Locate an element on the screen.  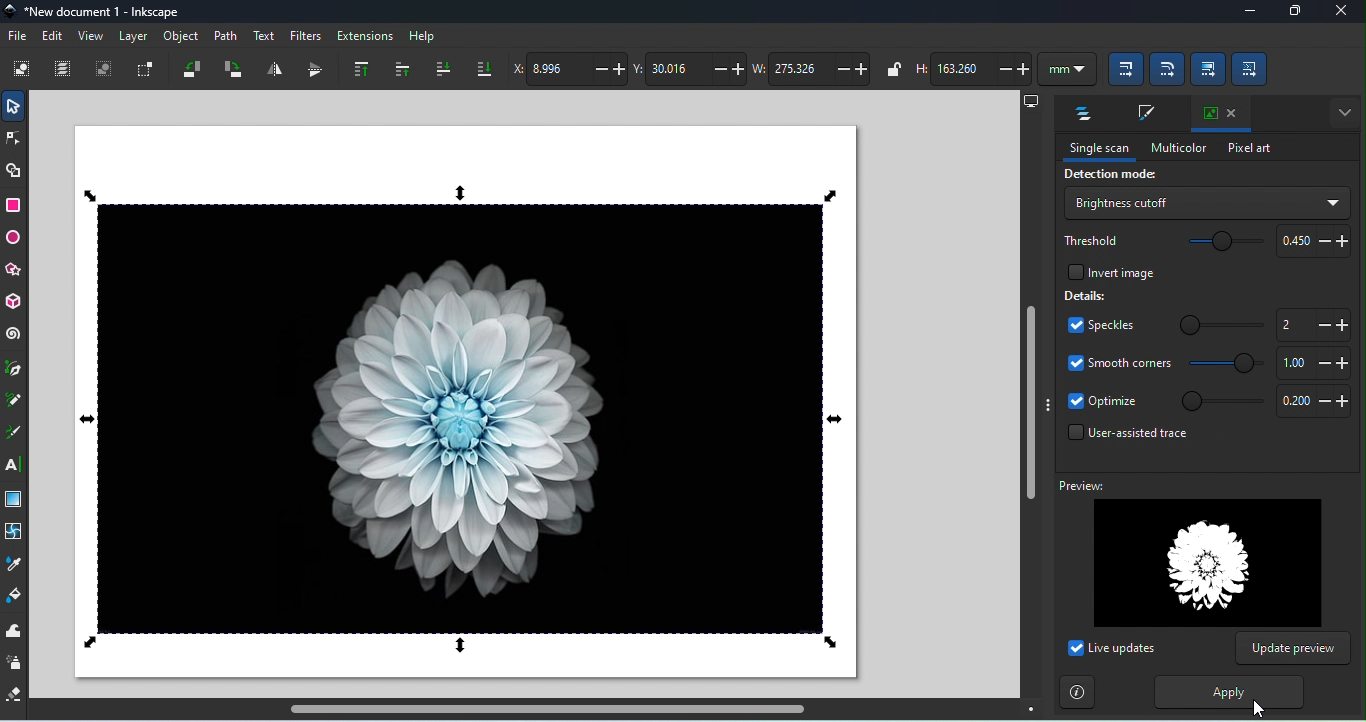
Live updates is located at coordinates (1112, 650).